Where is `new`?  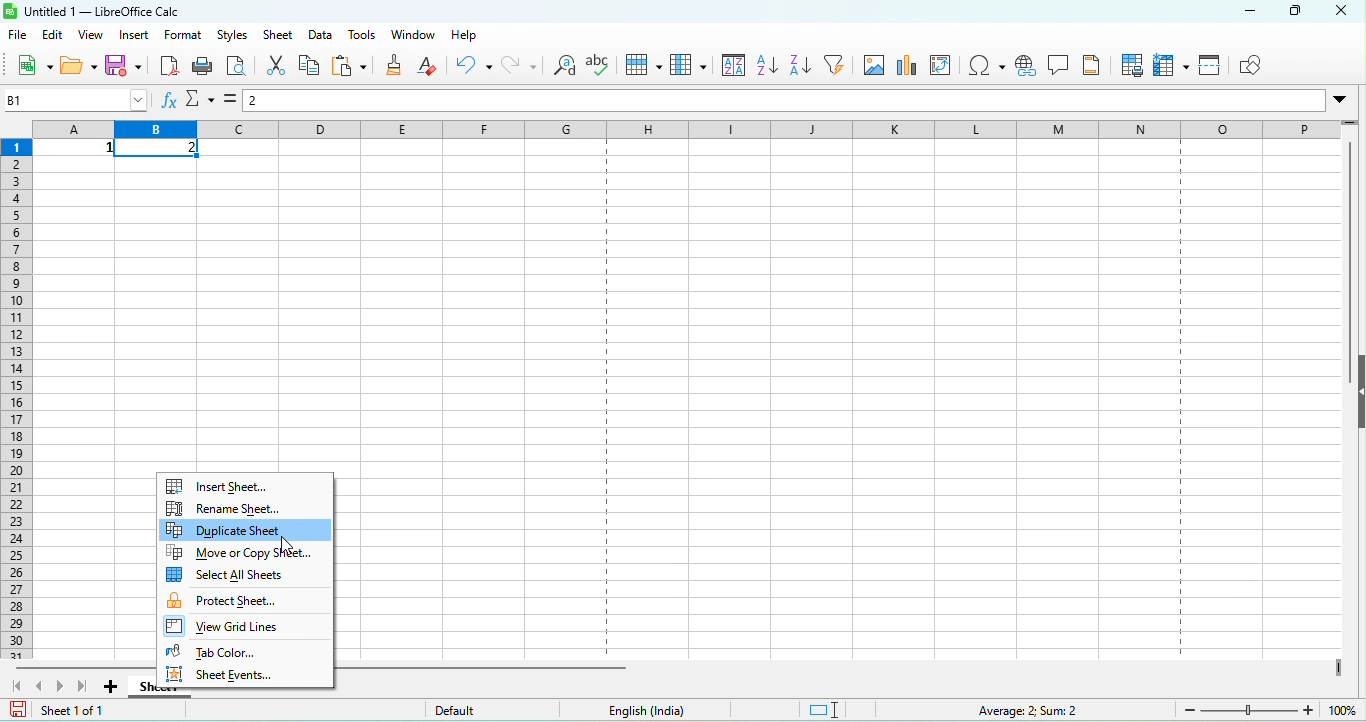
new is located at coordinates (30, 64).